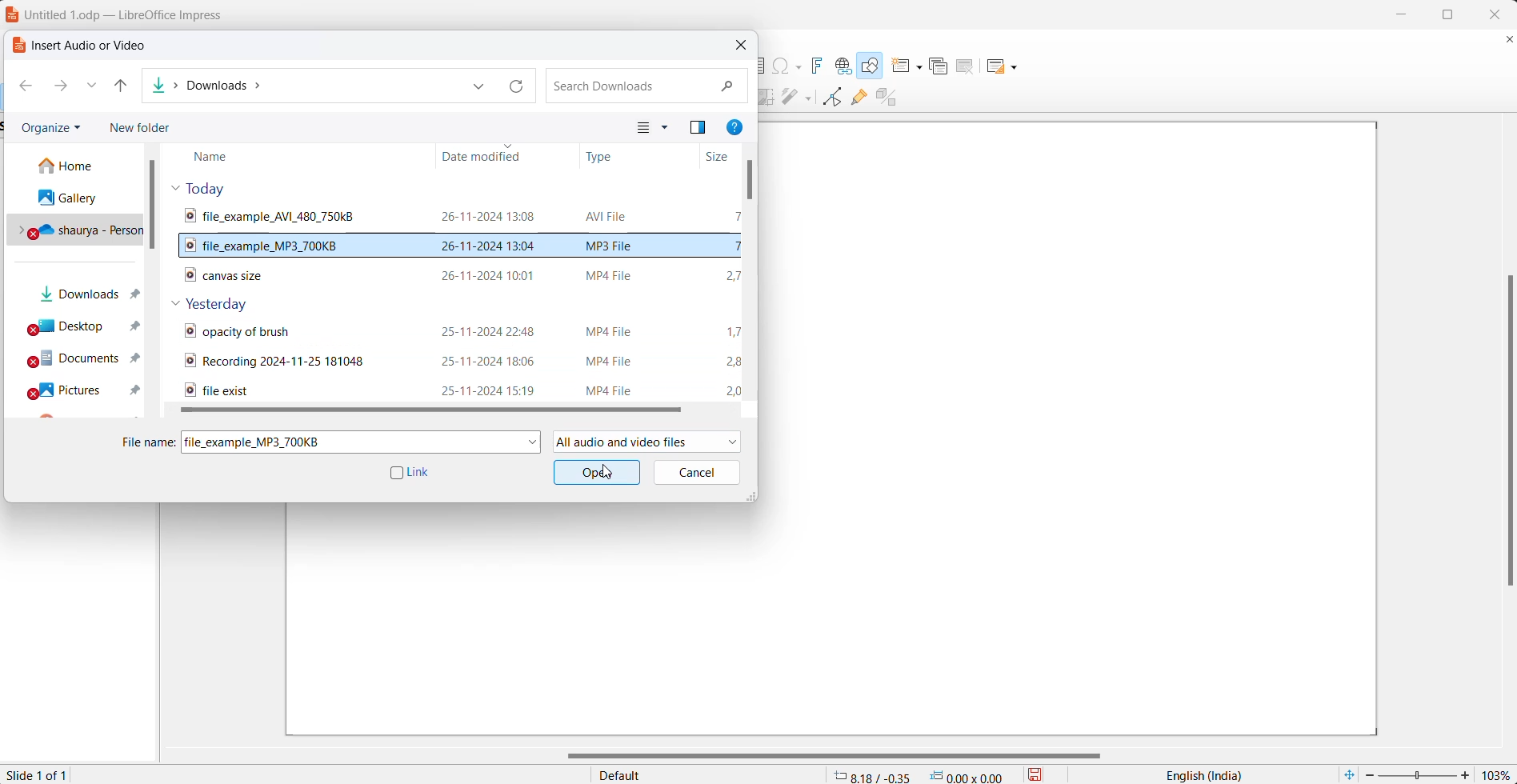 This screenshot has height=784, width=1517. Describe the element at coordinates (534, 442) in the screenshot. I see `file name dropdown button` at that location.